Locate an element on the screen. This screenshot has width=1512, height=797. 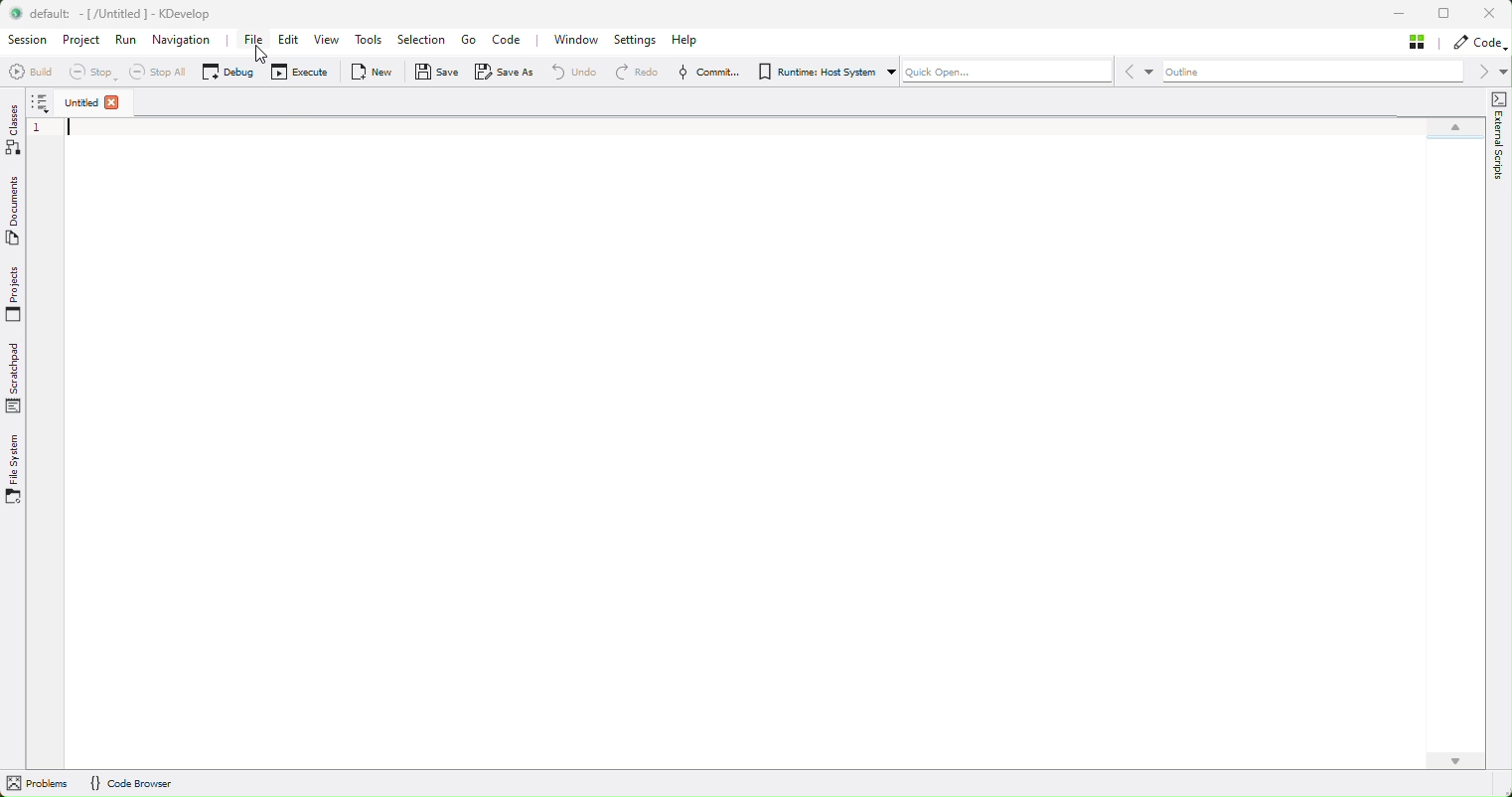
Stash is located at coordinates (1419, 41).